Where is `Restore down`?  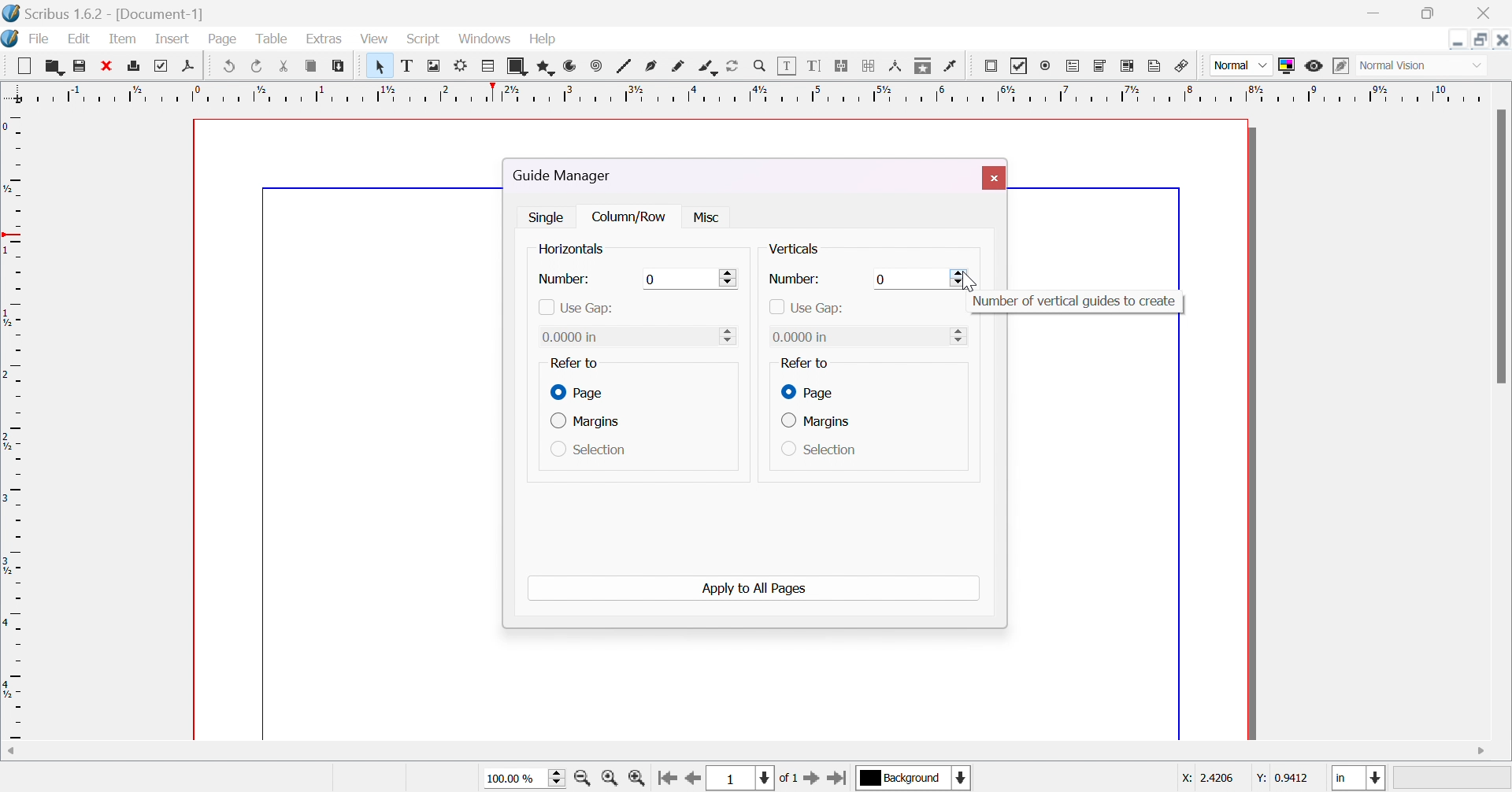
Restore down is located at coordinates (1482, 39).